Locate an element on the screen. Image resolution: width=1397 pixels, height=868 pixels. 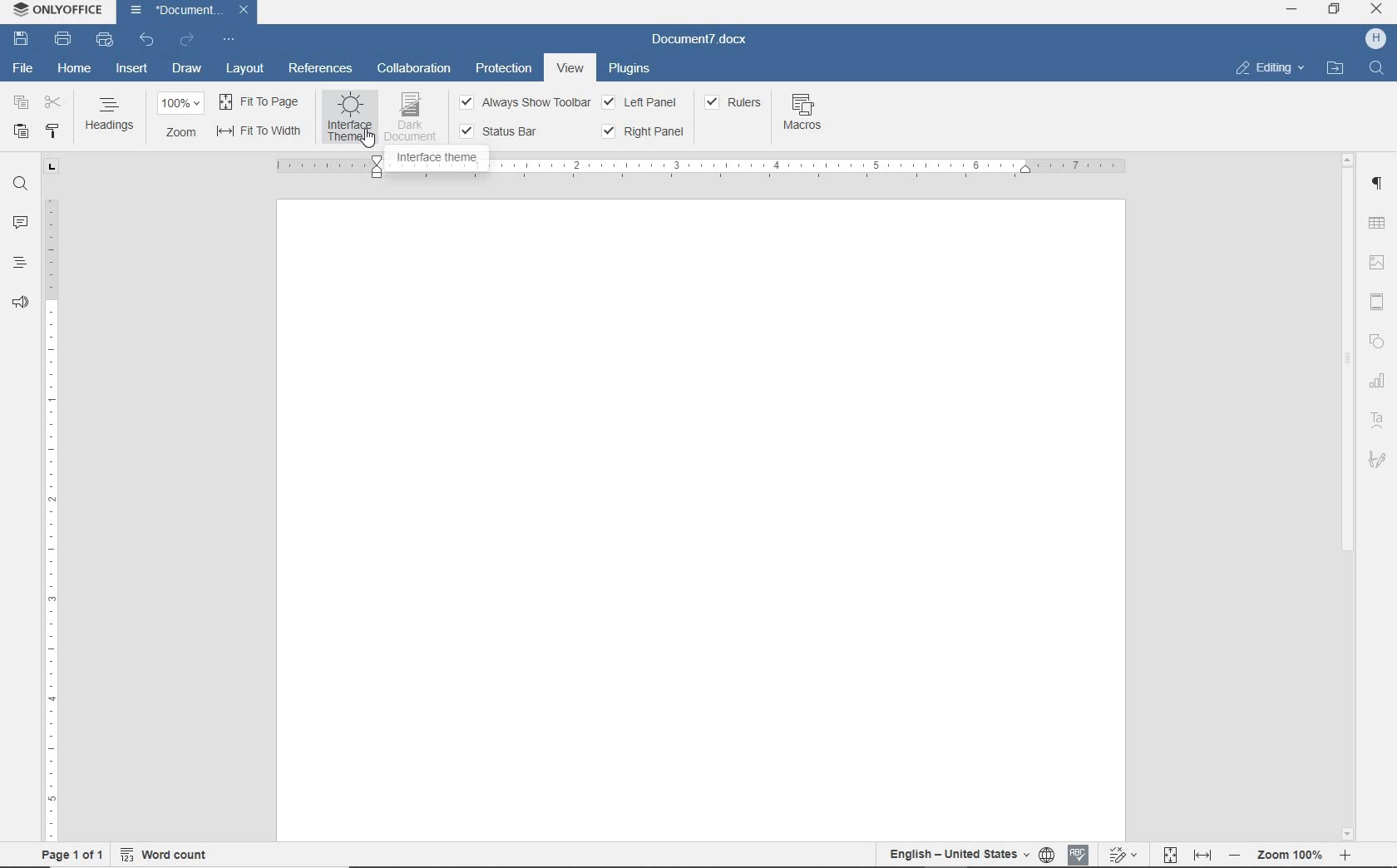
FIT TO PAGE is located at coordinates (1172, 855).